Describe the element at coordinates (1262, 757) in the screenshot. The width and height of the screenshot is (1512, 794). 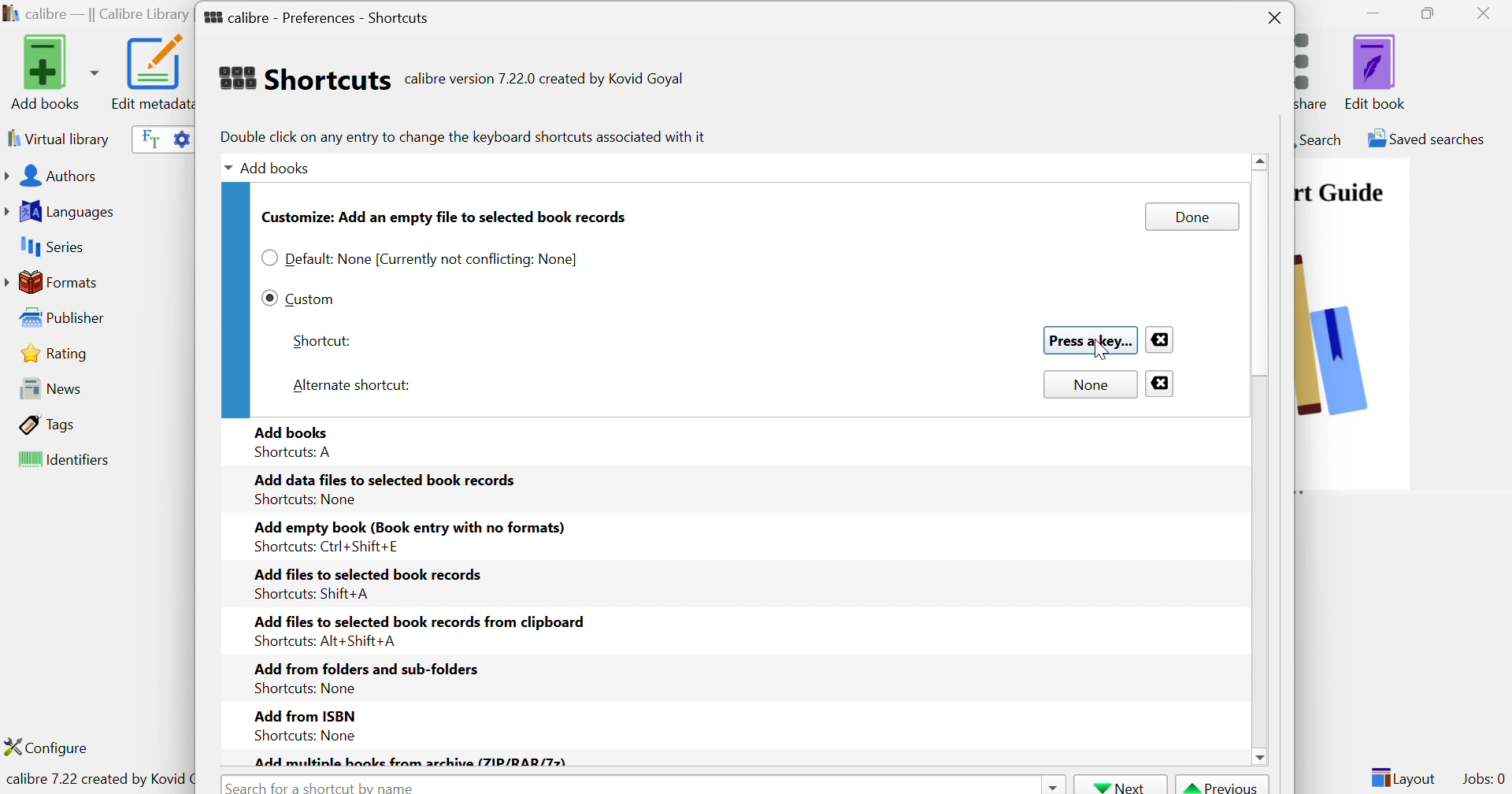
I see `scroll down` at that location.